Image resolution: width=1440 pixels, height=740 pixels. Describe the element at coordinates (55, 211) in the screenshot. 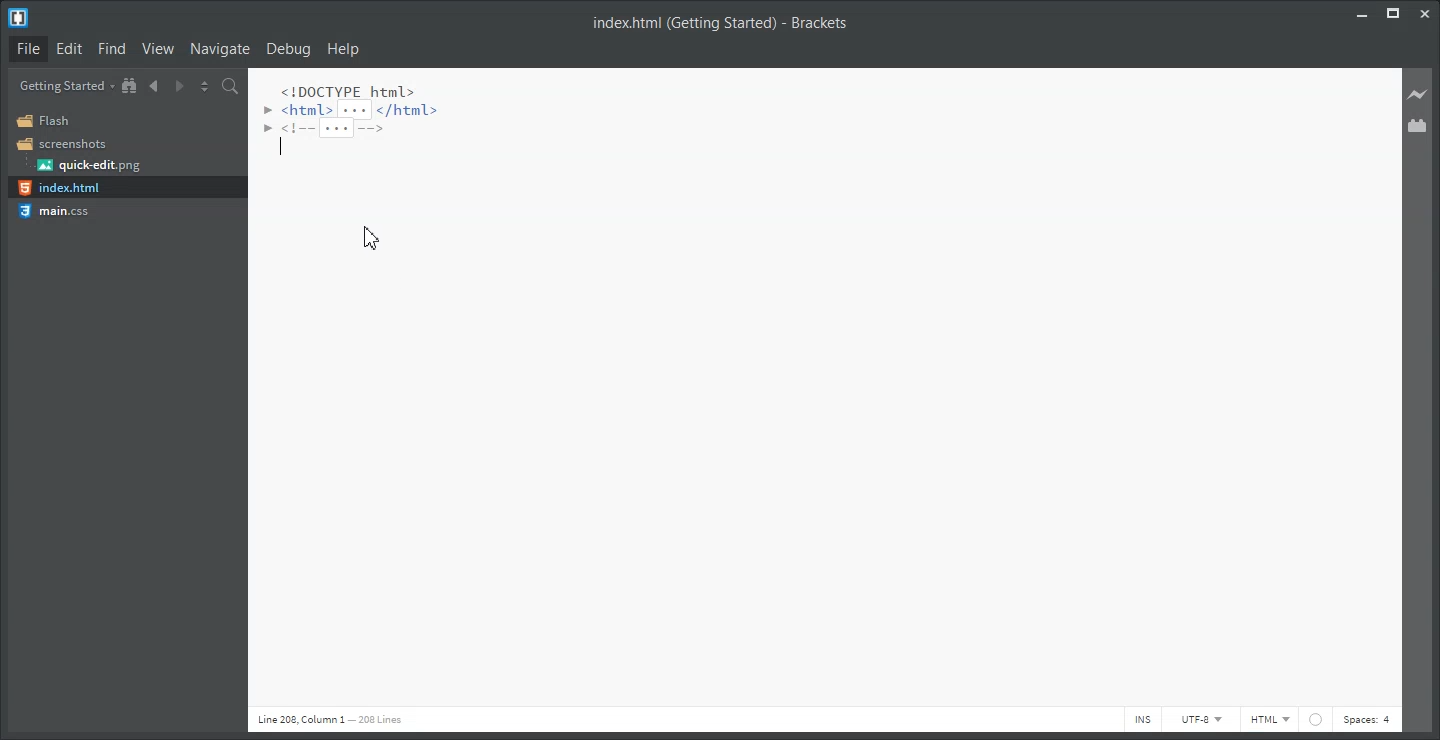

I see `main.css` at that location.